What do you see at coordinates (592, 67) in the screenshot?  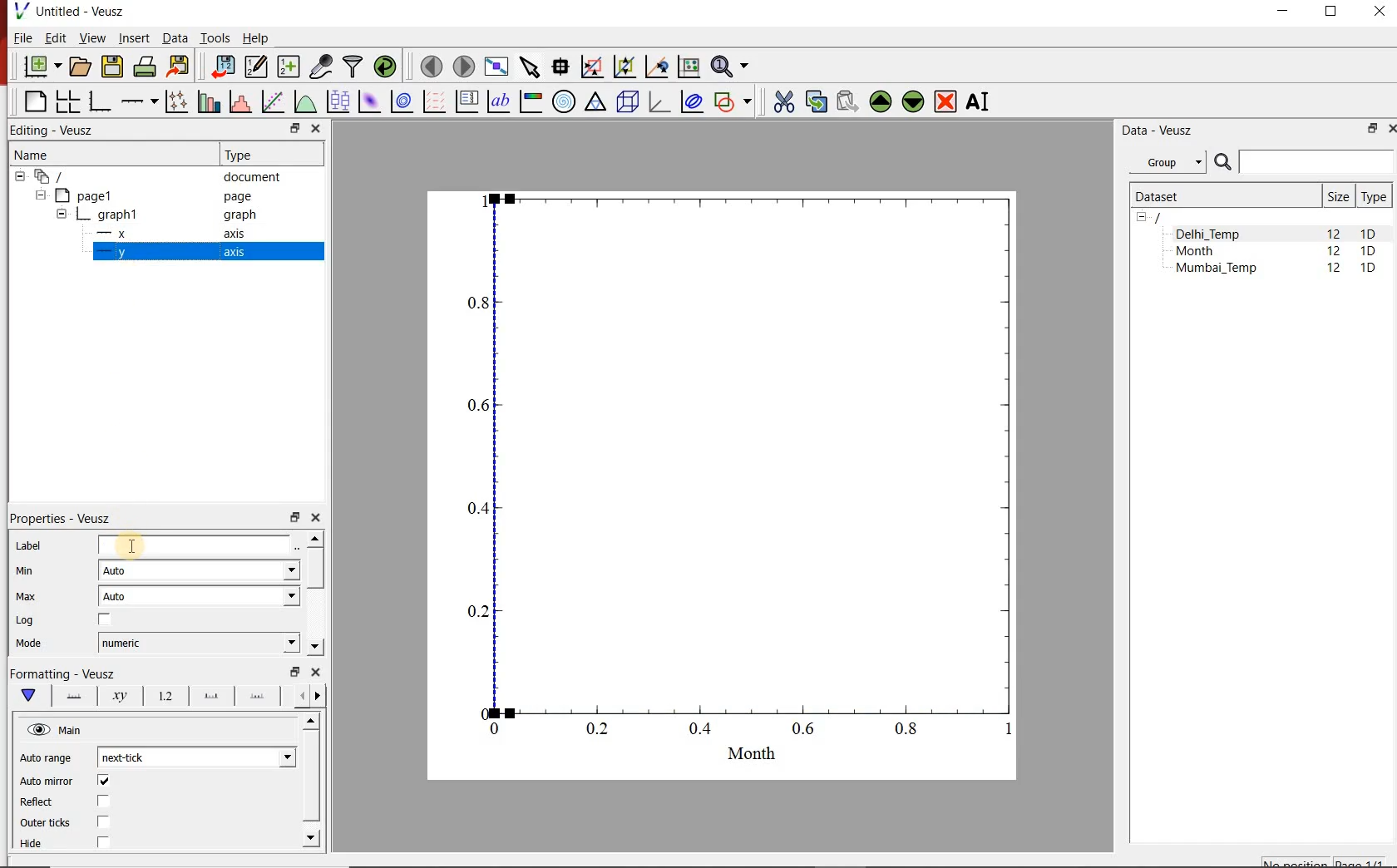 I see `click or draw a rectangle to zoom graph indexes` at bounding box center [592, 67].